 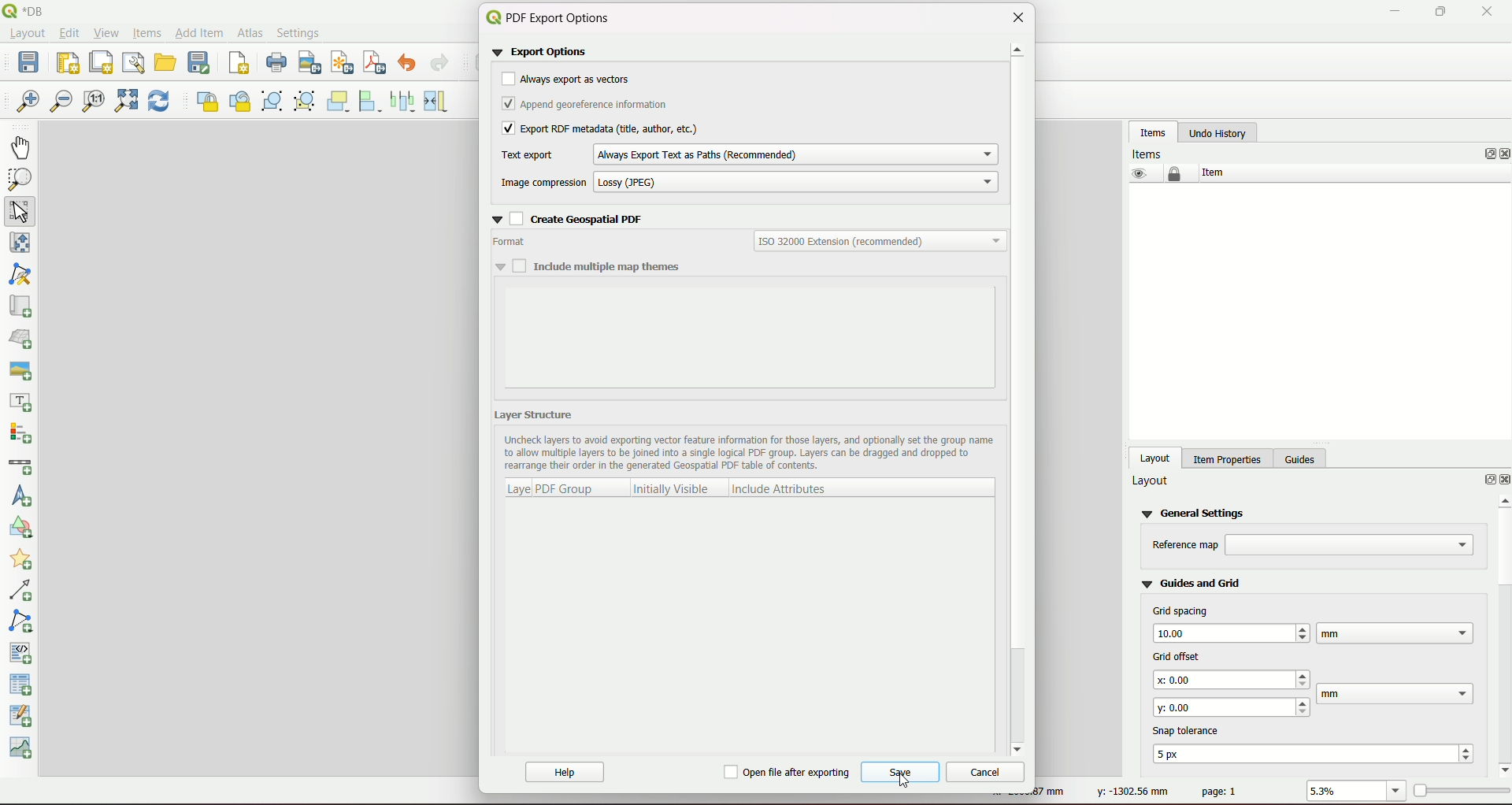 What do you see at coordinates (275, 64) in the screenshot?
I see `print layout` at bounding box center [275, 64].